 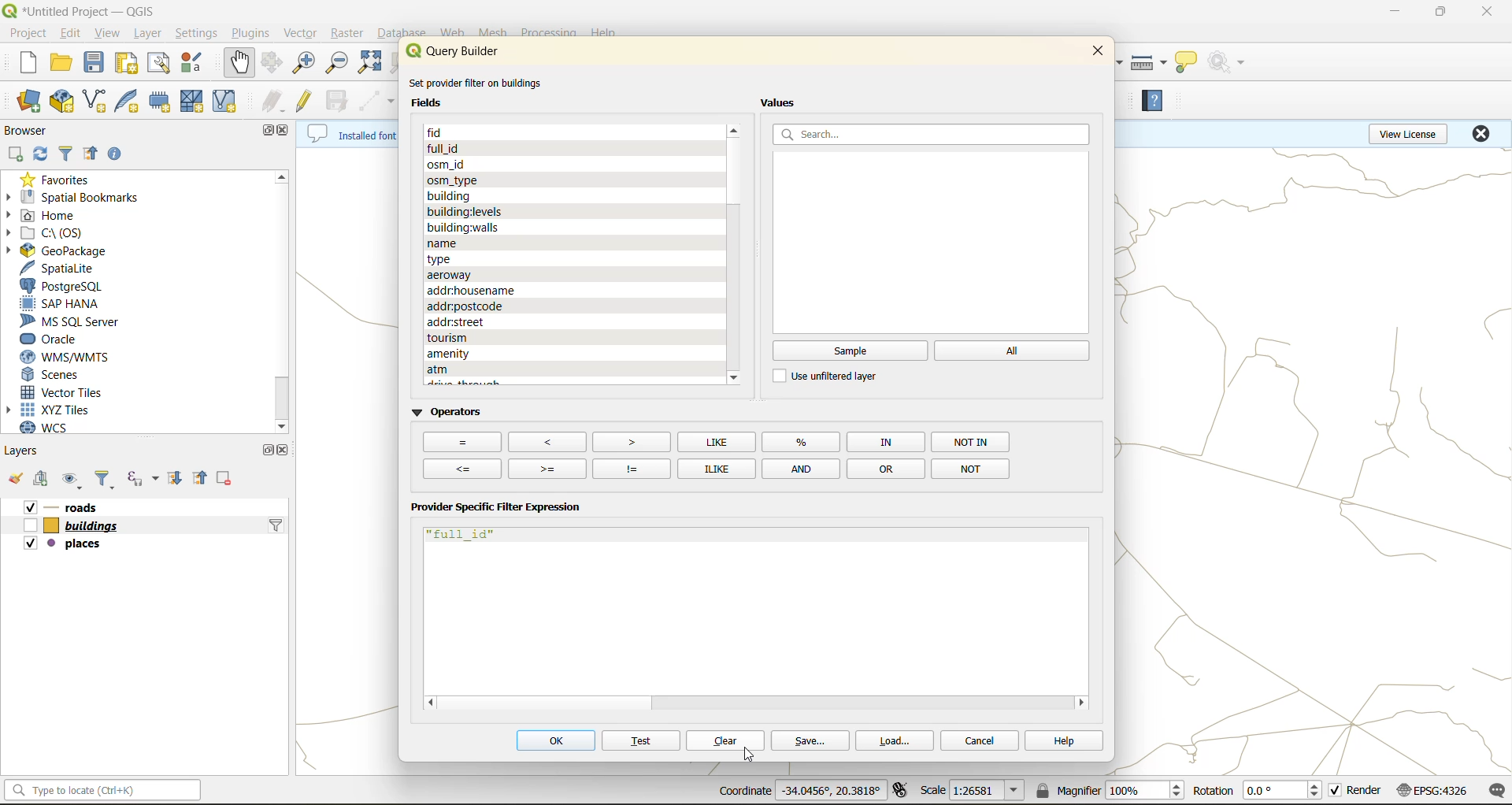 What do you see at coordinates (84, 197) in the screenshot?
I see `spatial bookmarks` at bounding box center [84, 197].